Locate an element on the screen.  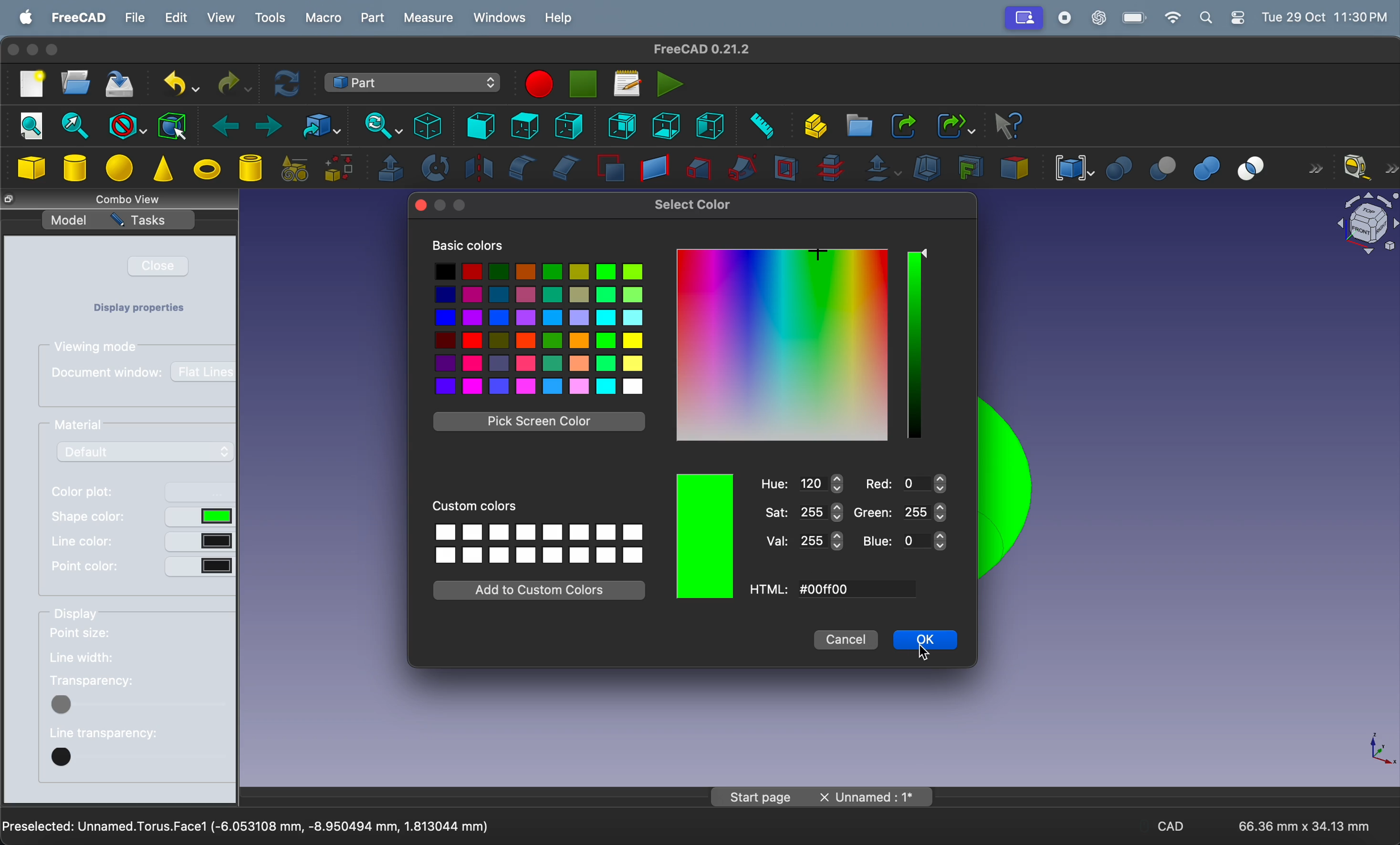
mirroring is located at coordinates (476, 168).